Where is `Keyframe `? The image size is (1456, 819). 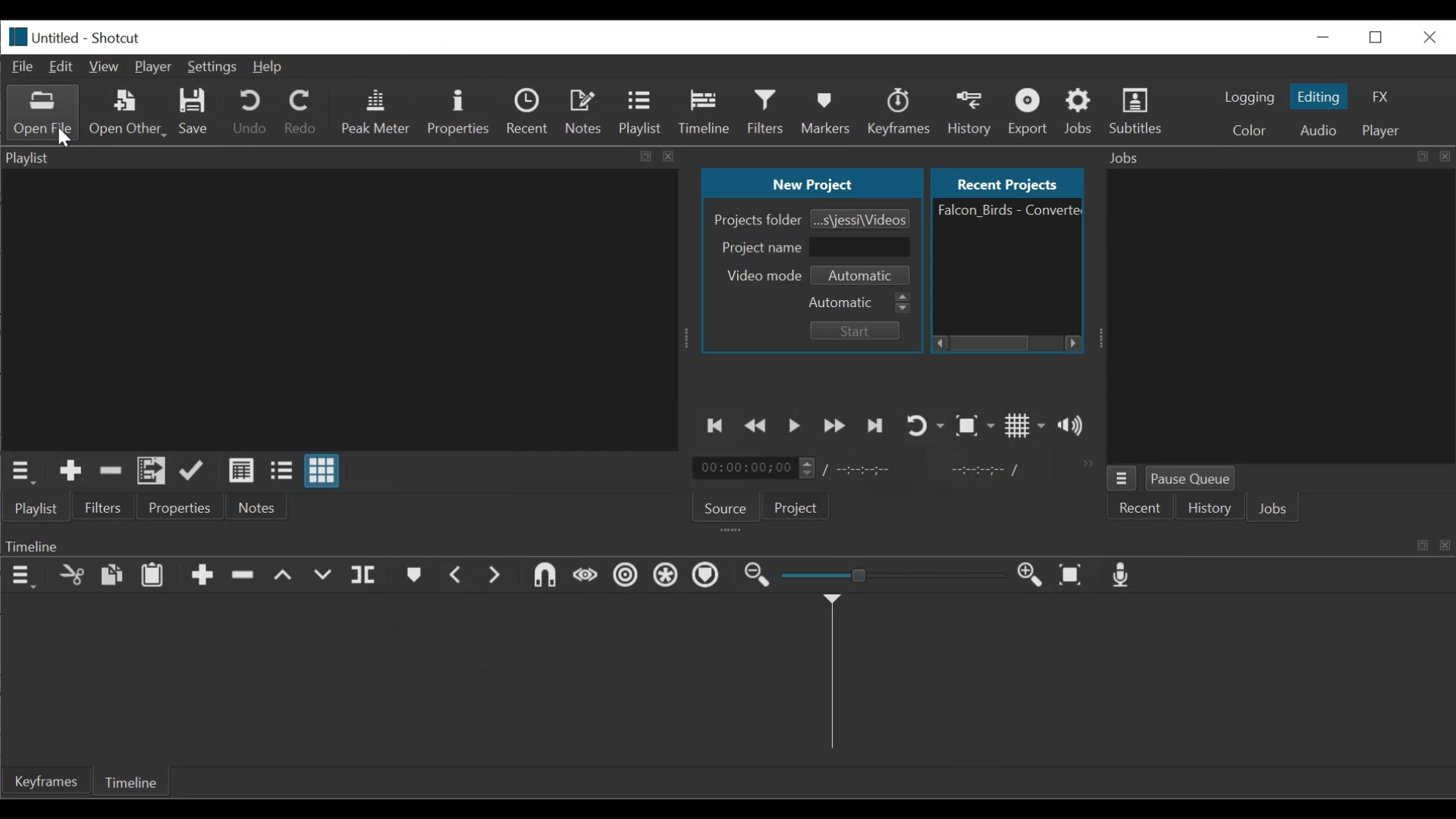 Keyframe  is located at coordinates (45, 780).